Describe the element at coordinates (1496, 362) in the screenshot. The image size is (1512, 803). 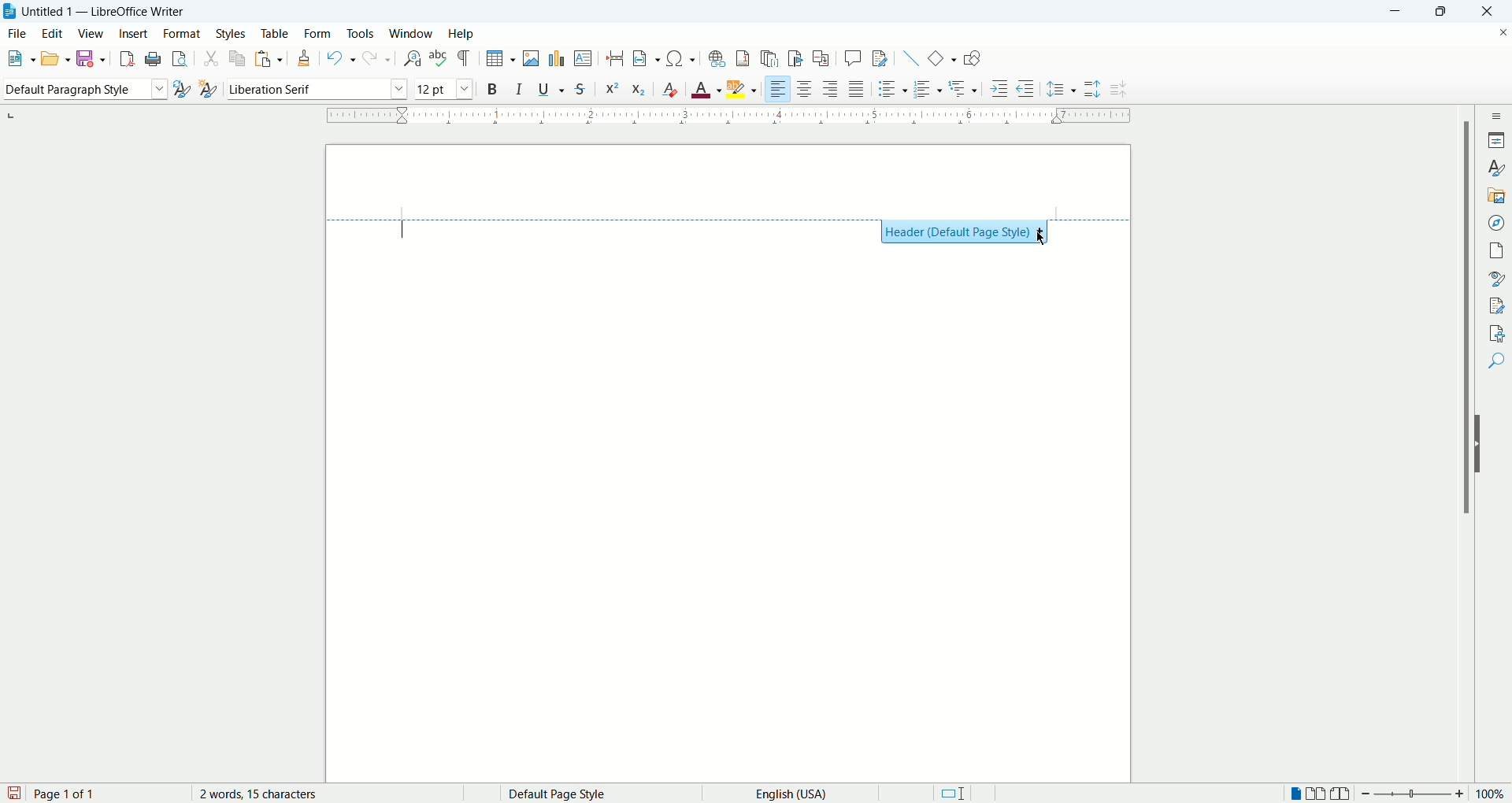
I see `find` at that location.